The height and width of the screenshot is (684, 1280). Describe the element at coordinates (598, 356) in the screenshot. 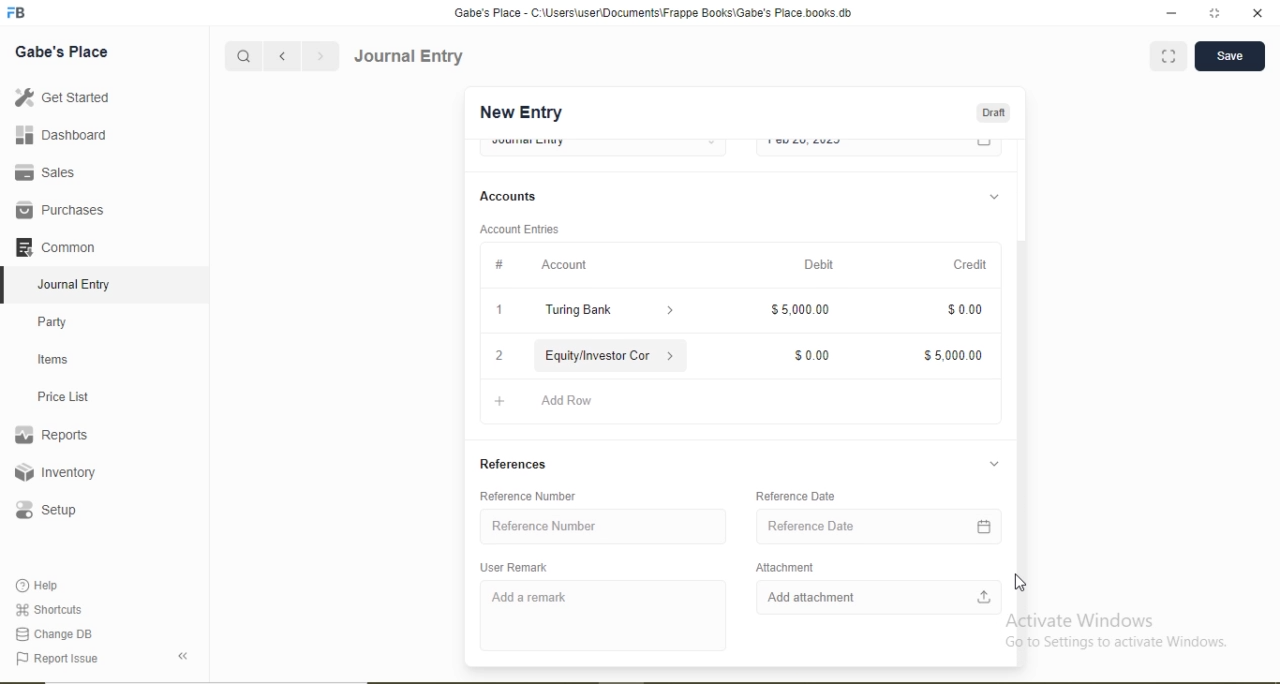

I see `Equity/Investor Con` at that location.